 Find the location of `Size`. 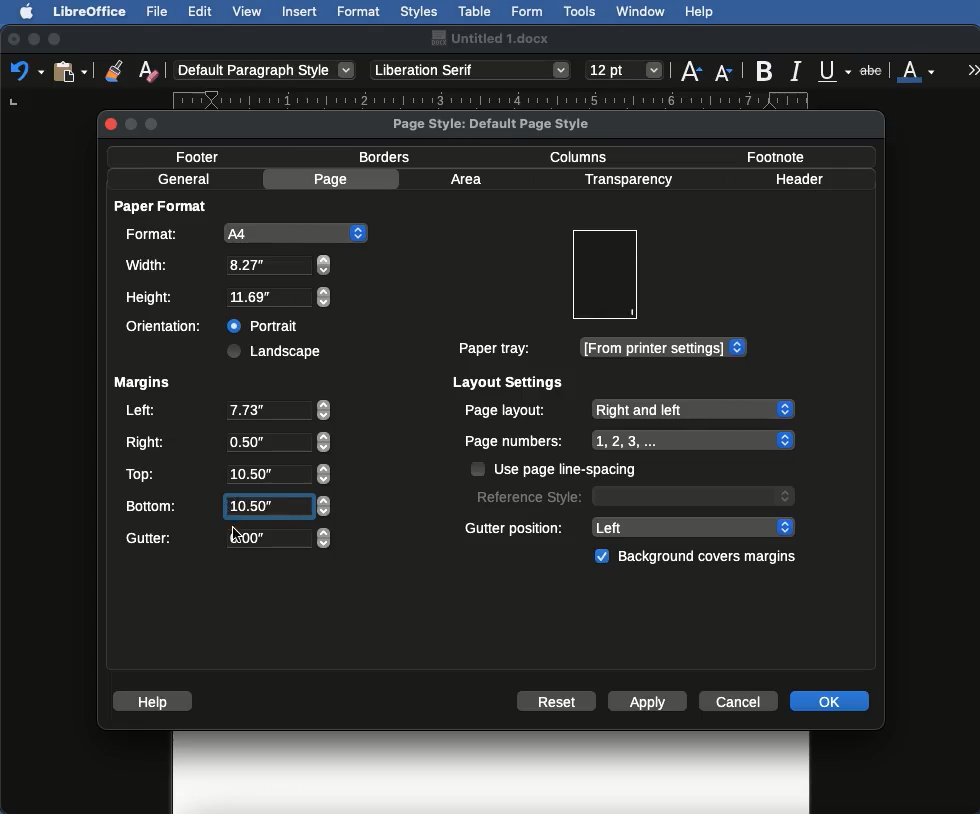

Size is located at coordinates (626, 71).